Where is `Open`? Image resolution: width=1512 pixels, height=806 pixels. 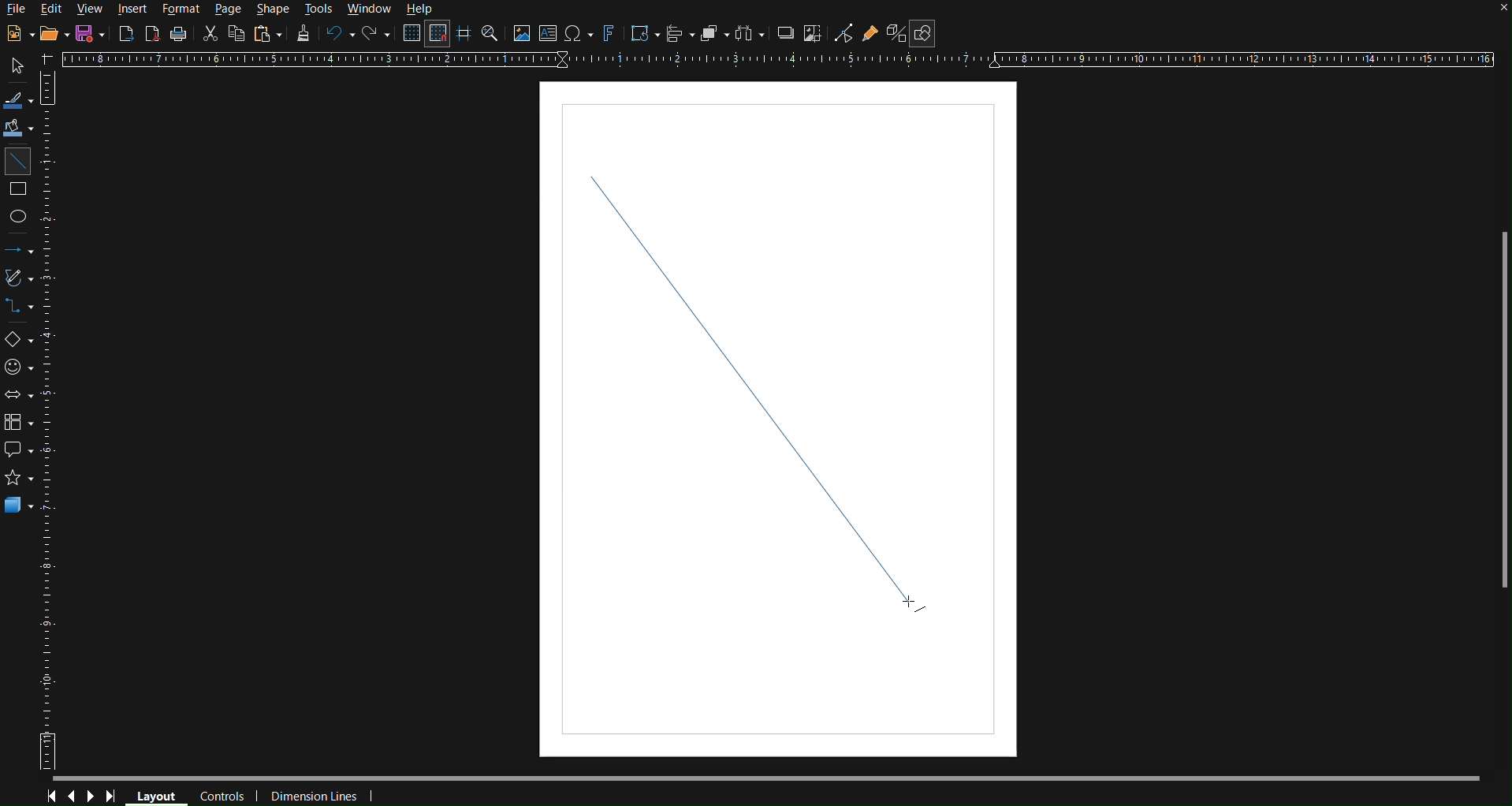 Open is located at coordinates (50, 34).